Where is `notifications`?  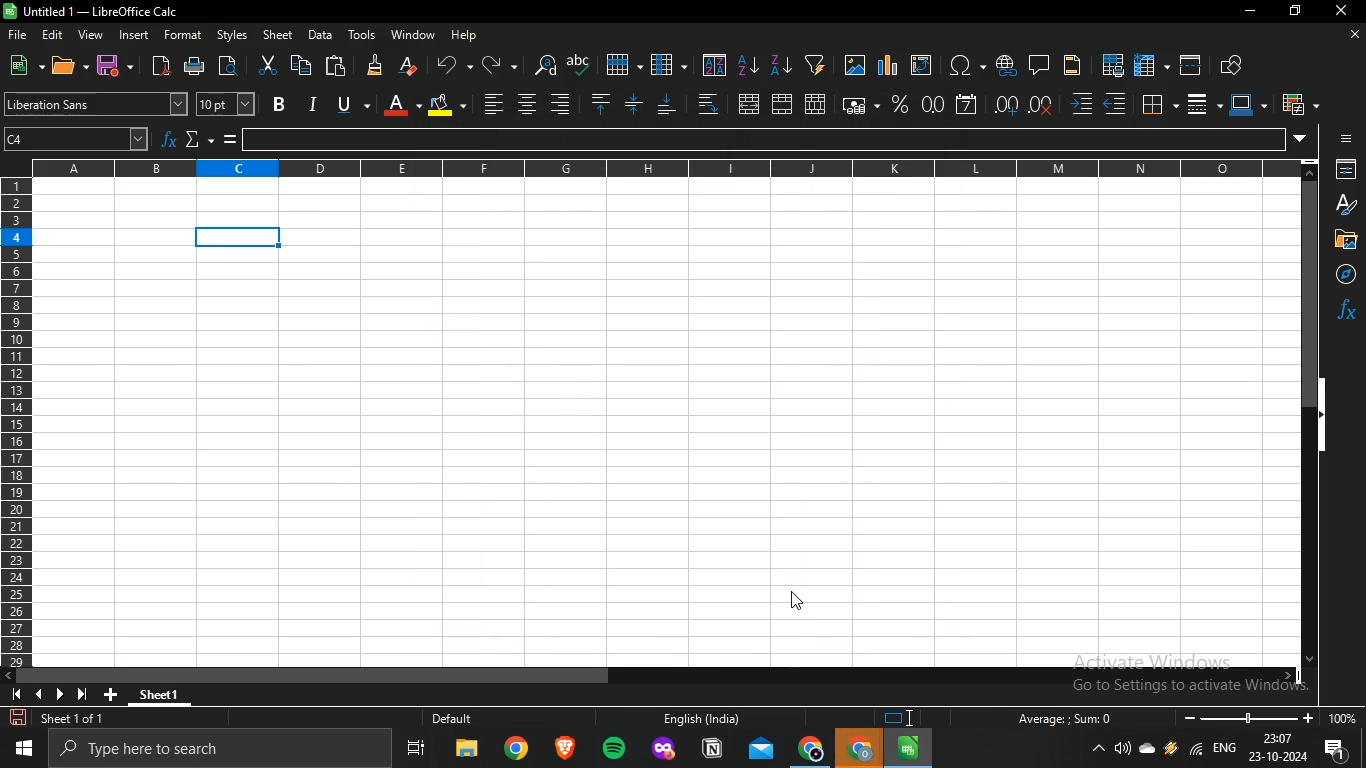 notifications is located at coordinates (1339, 752).